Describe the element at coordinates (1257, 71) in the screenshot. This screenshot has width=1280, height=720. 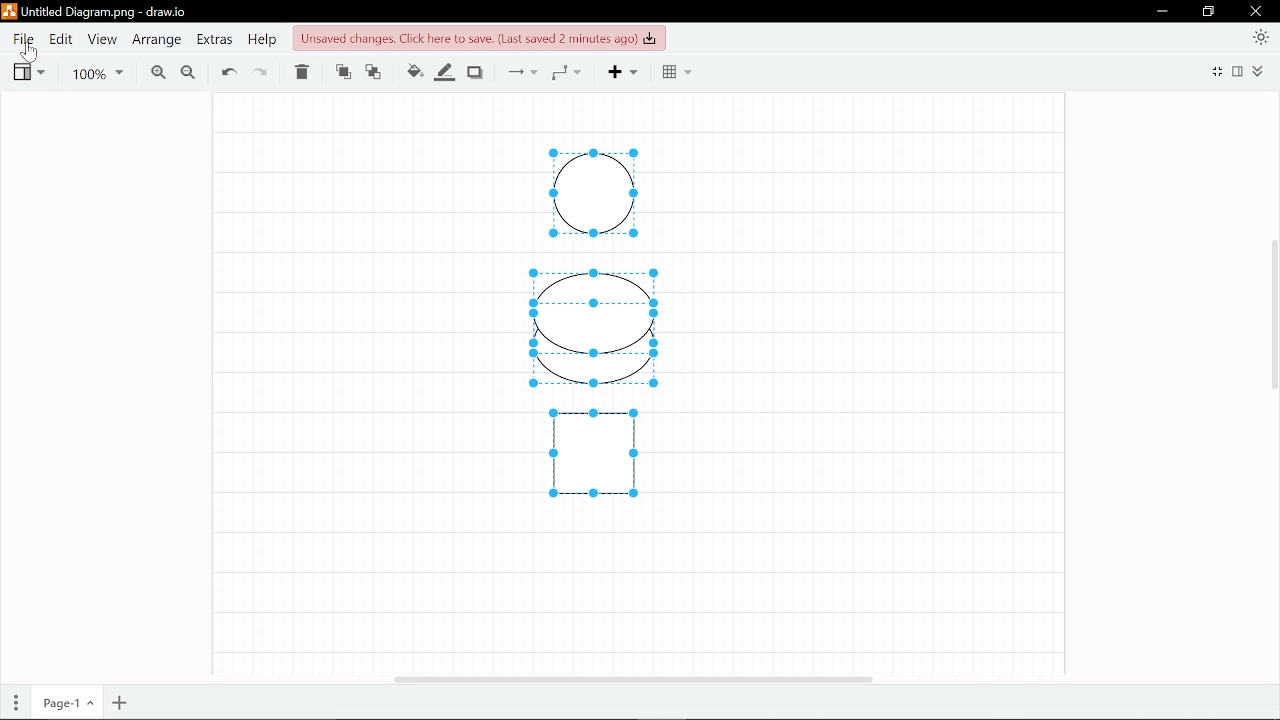
I see `Collapse` at that location.